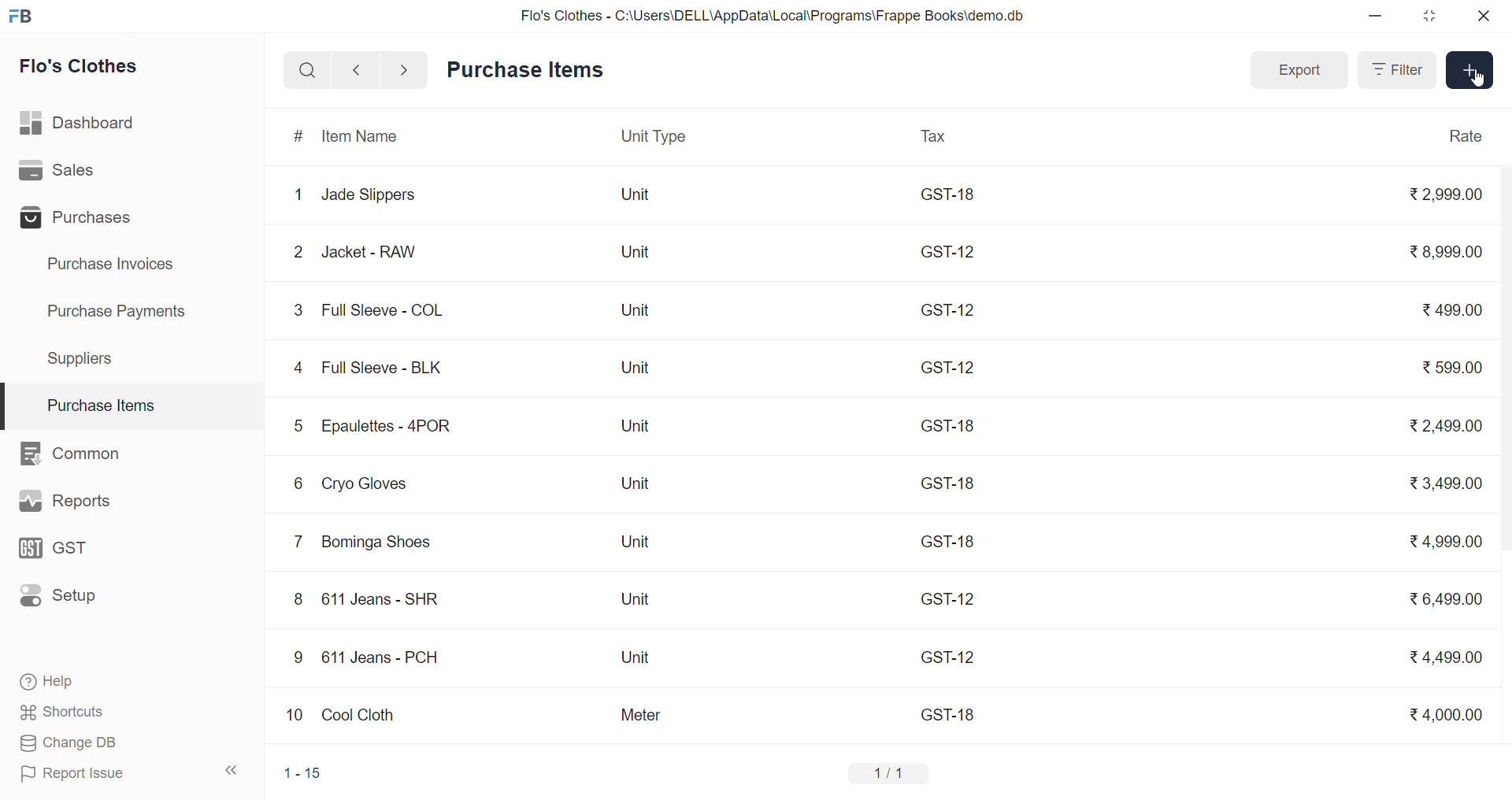 The height and width of the screenshot is (800, 1512). I want to click on Jacket - RAW, so click(372, 251).